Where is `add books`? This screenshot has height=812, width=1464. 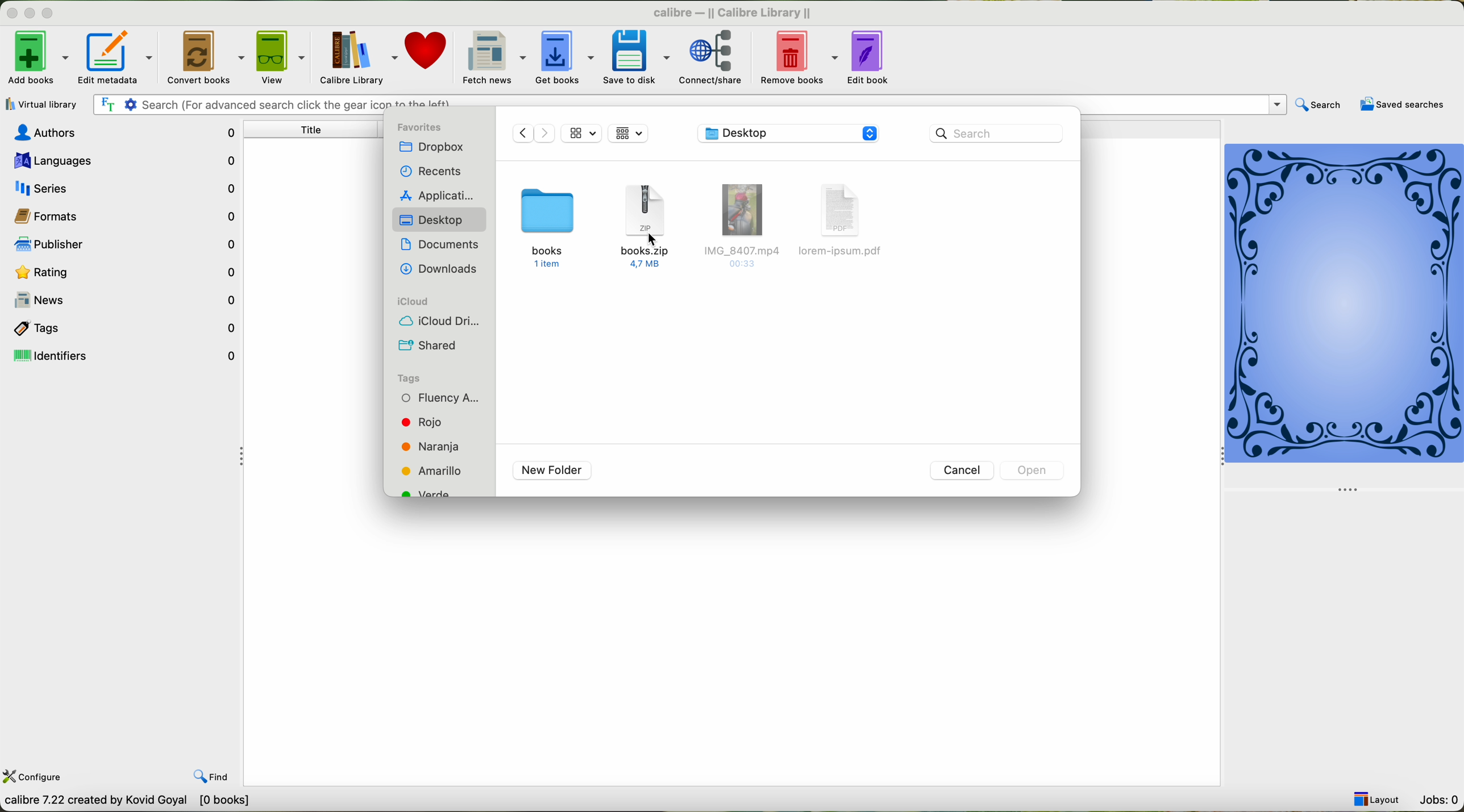 add books is located at coordinates (36, 57).